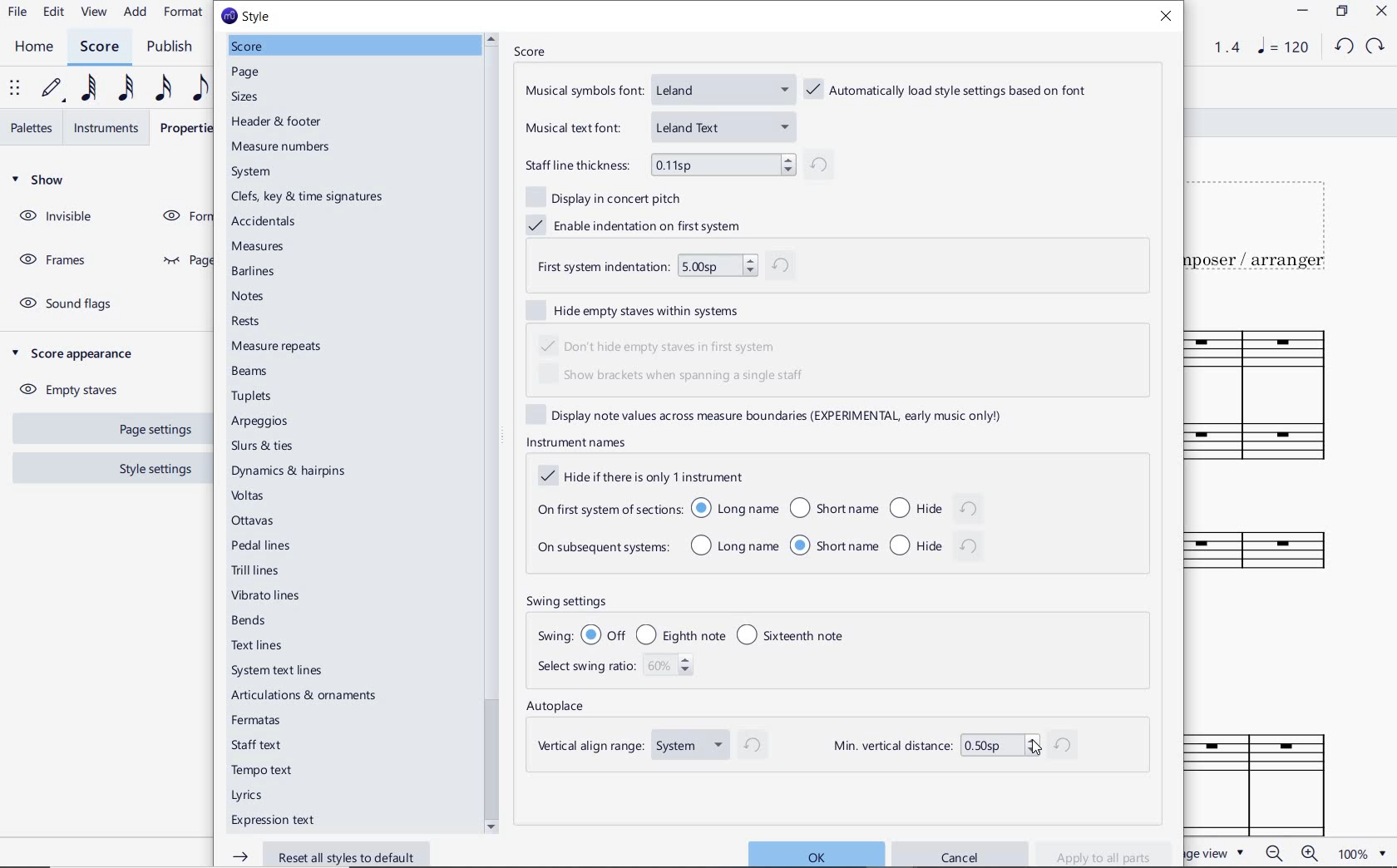  What do you see at coordinates (1215, 47) in the screenshot?
I see `PLAY TIME` at bounding box center [1215, 47].